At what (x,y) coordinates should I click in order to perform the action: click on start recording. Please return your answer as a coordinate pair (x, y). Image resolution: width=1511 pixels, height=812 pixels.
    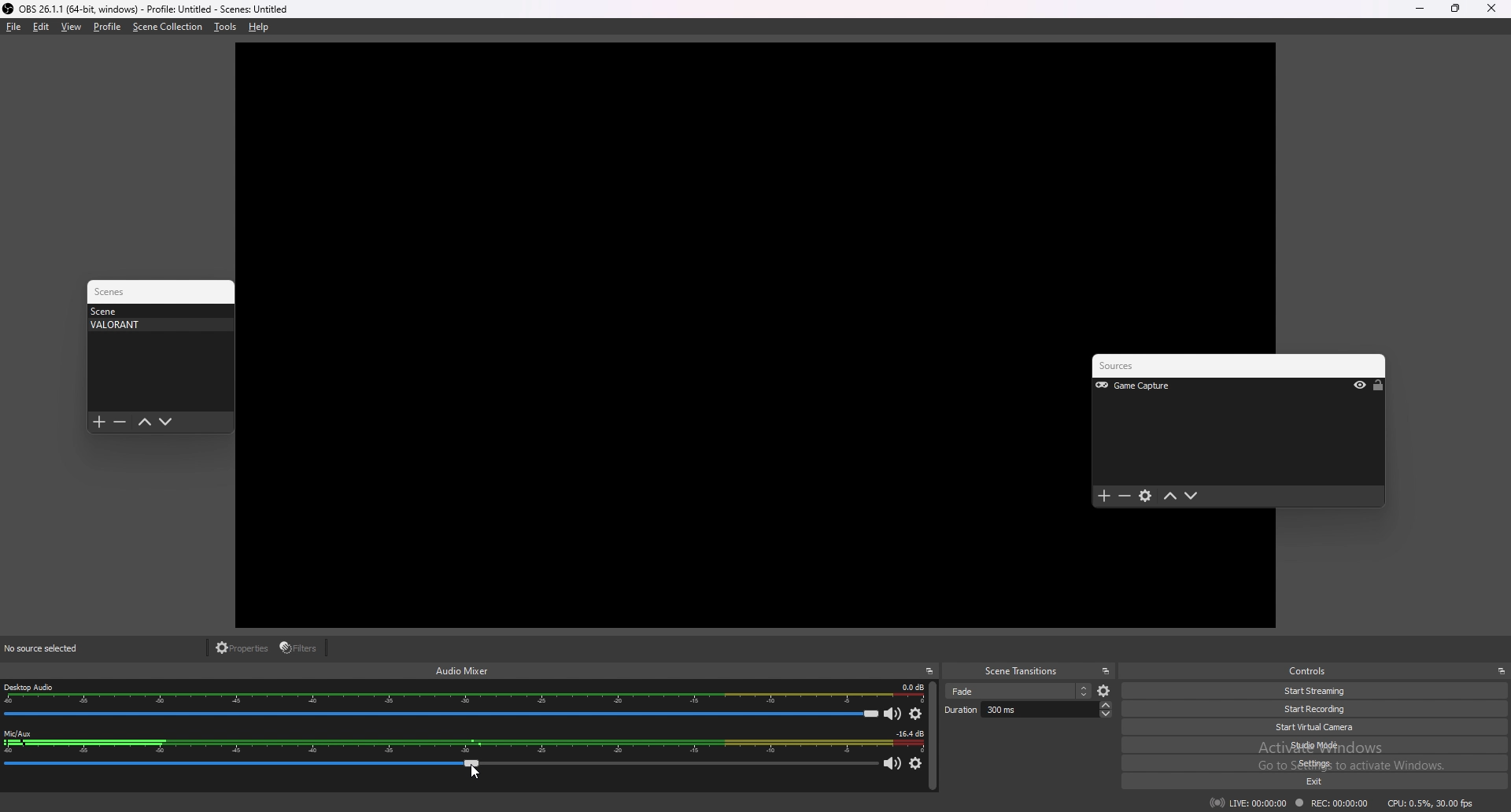
    Looking at the image, I should click on (1318, 709).